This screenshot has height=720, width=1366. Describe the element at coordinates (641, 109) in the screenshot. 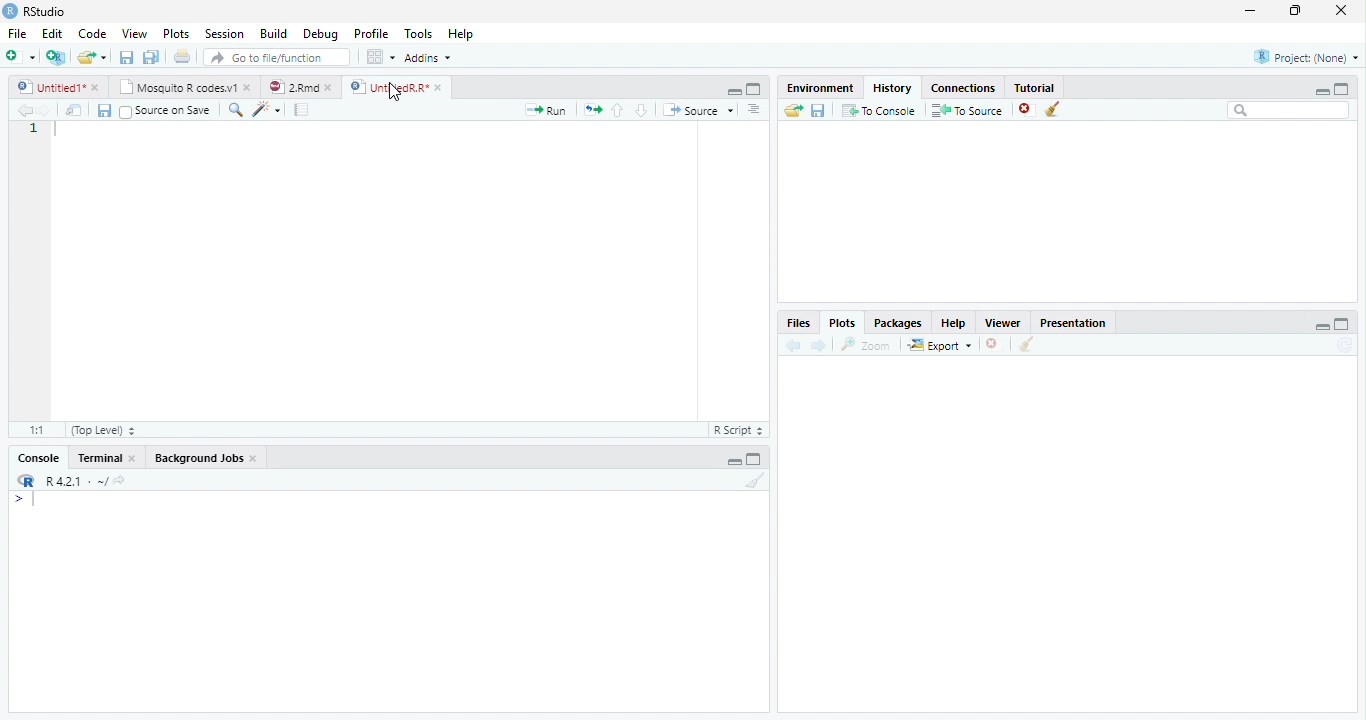

I see `Go to next section/chunk` at that location.